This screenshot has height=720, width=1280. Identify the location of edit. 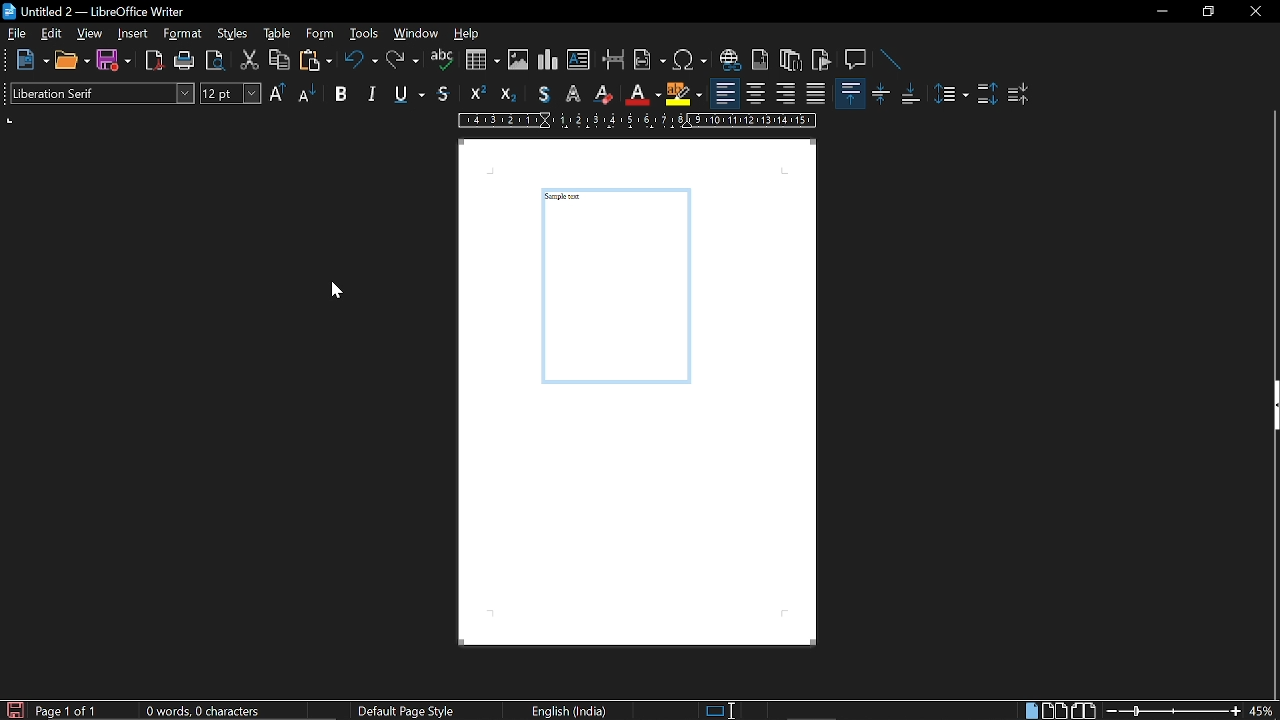
(53, 34).